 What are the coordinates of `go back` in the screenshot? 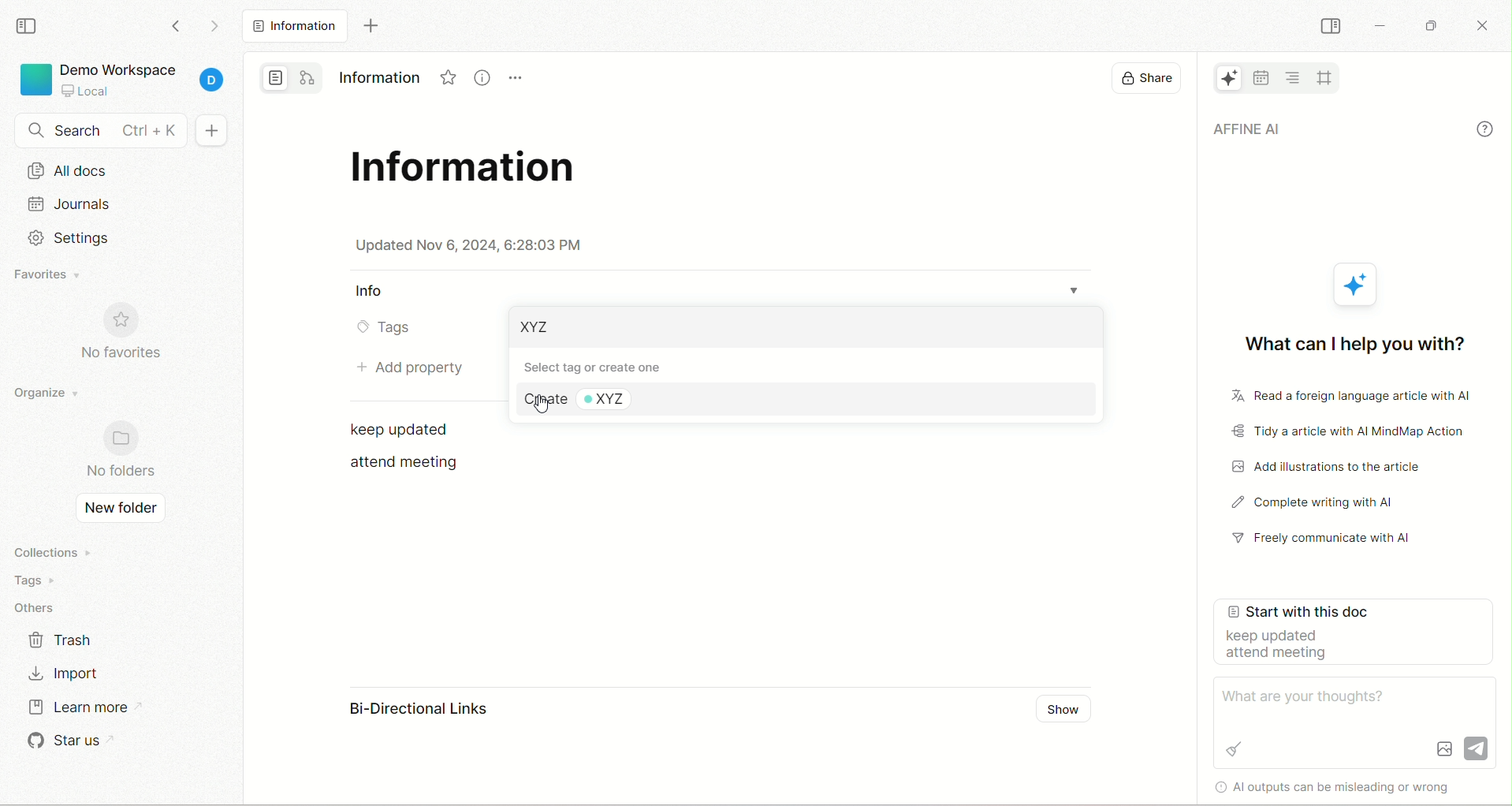 It's located at (177, 31).